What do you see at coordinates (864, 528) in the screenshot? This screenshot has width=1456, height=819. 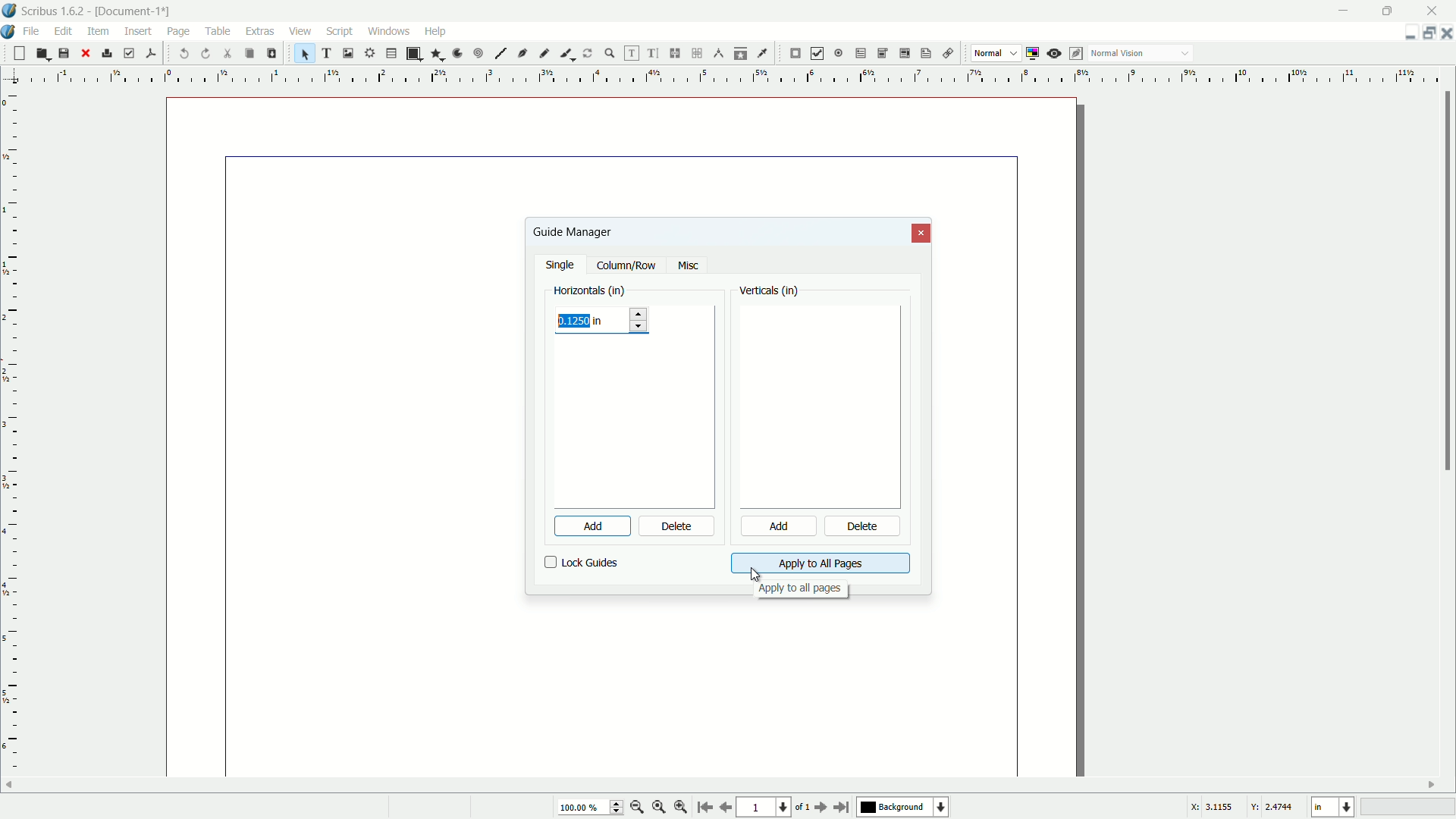 I see `delete` at bounding box center [864, 528].